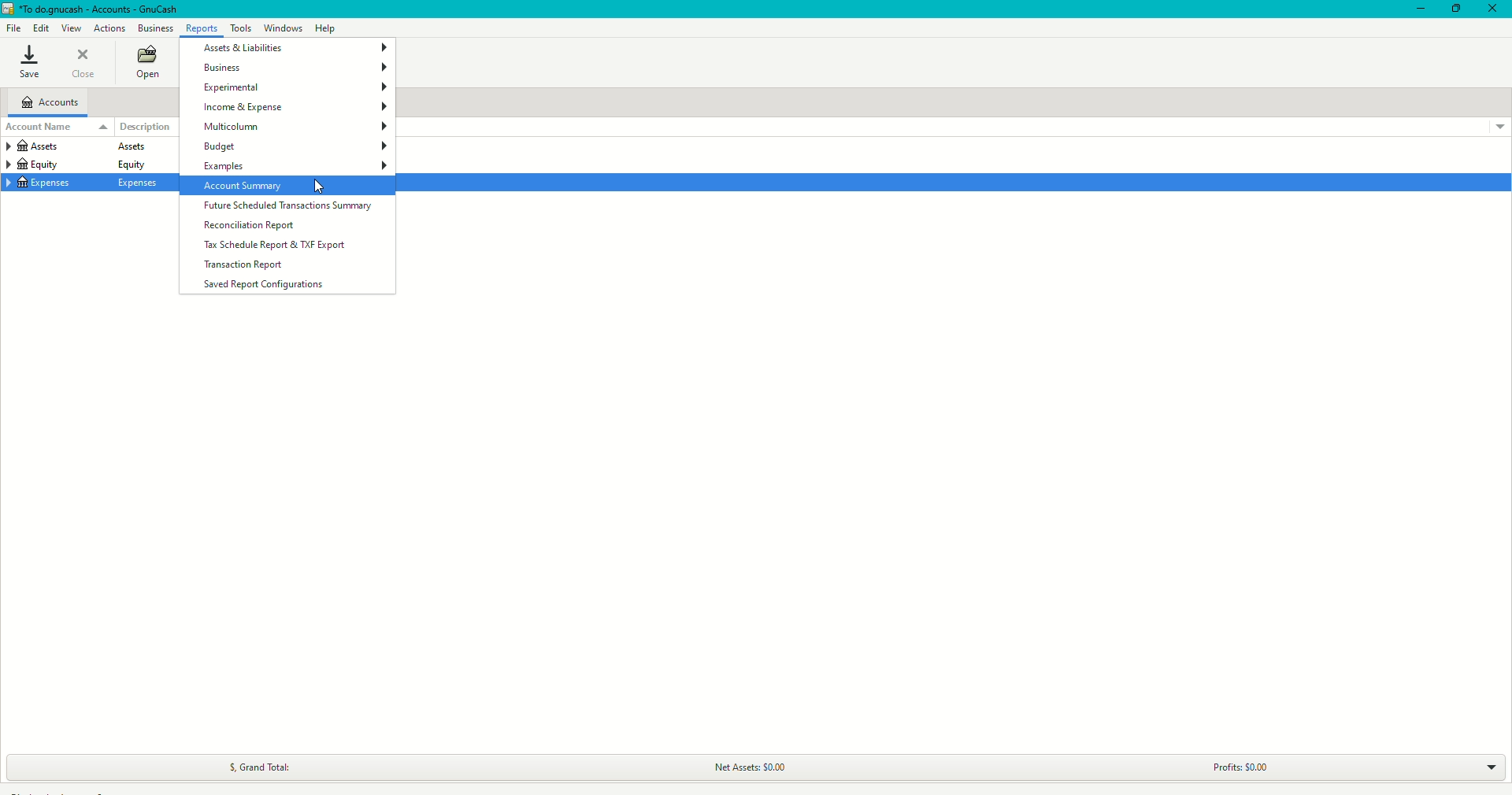 The image size is (1512, 795). Describe the element at coordinates (148, 126) in the screenshot. I see `Description` at that location.